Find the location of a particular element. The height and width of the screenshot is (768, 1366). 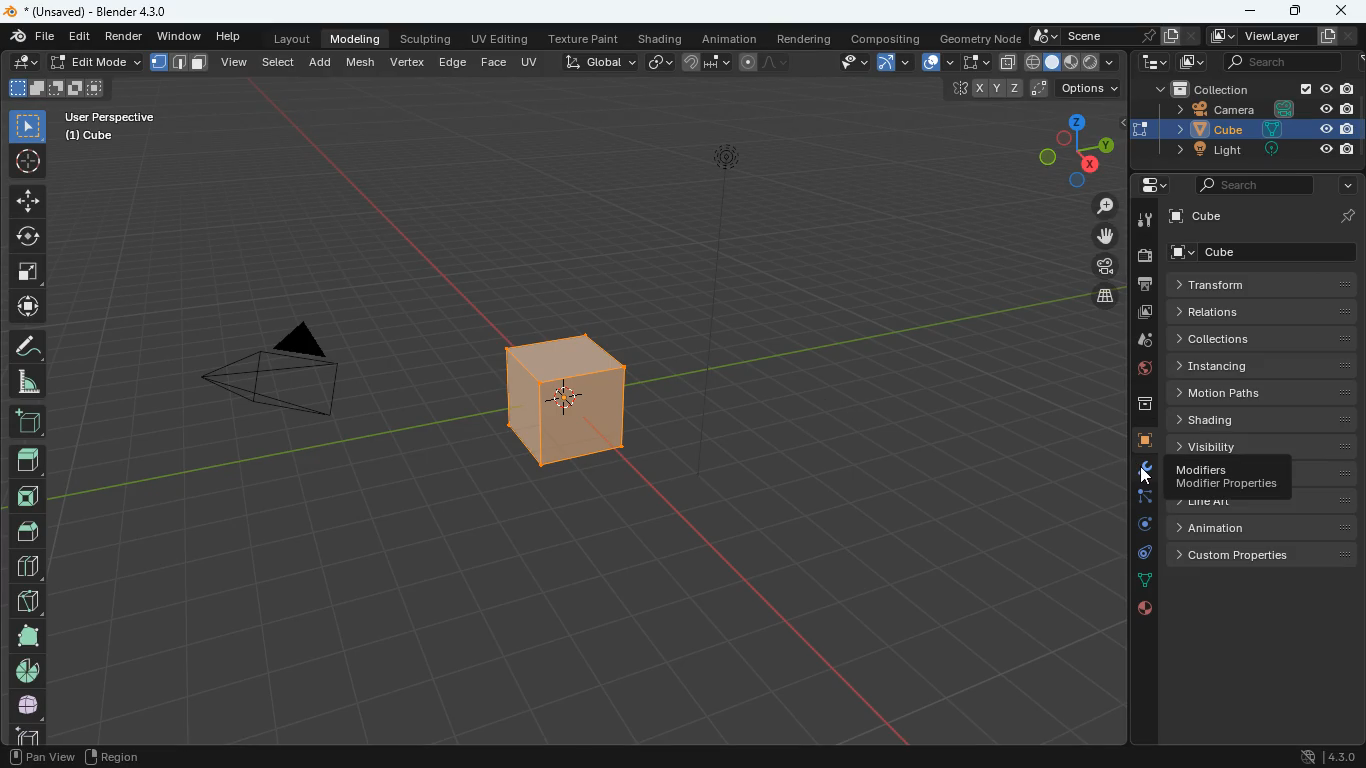

animation is located at coordinates (1255, 528).